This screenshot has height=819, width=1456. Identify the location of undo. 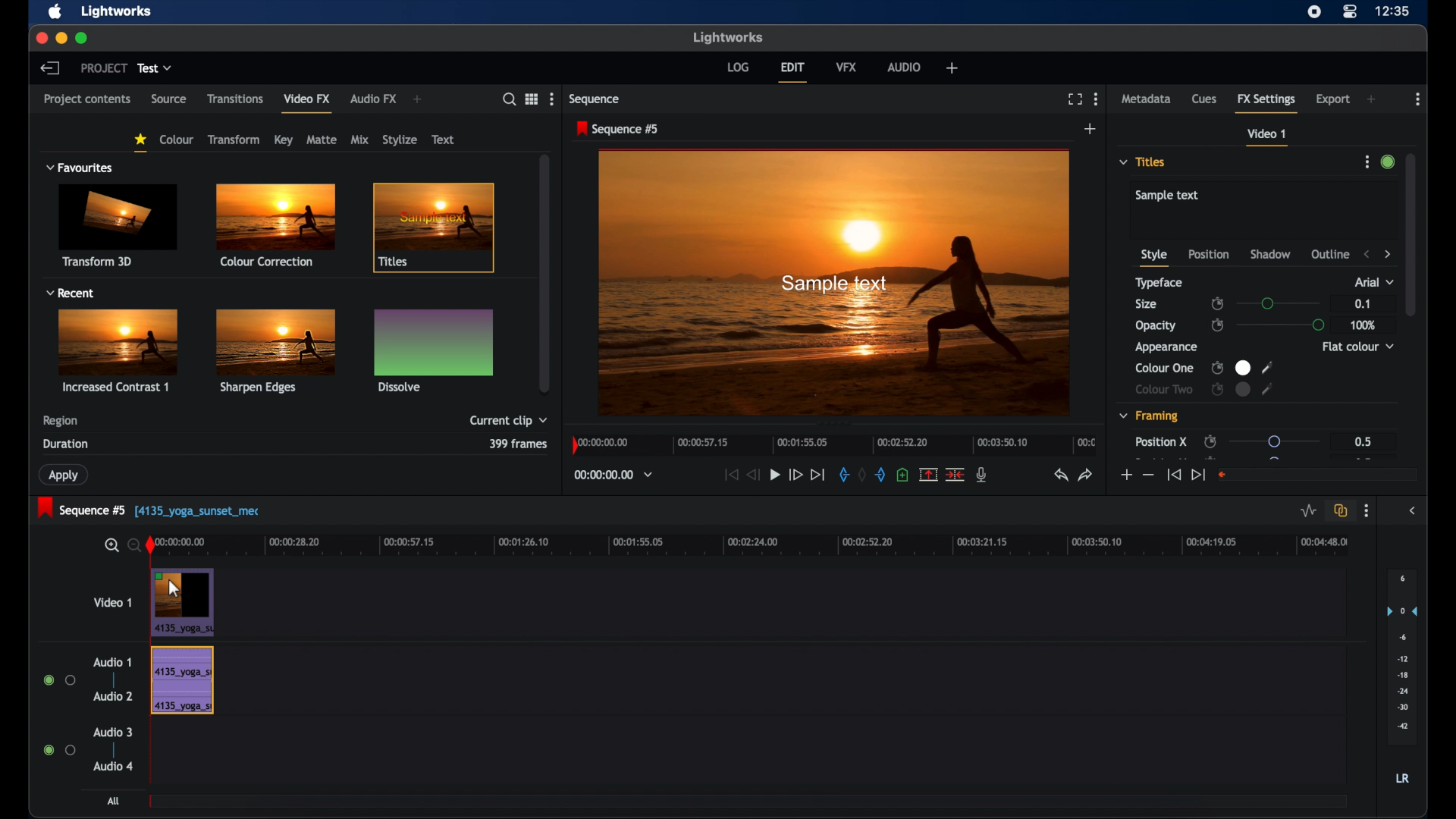
(1061, 475).